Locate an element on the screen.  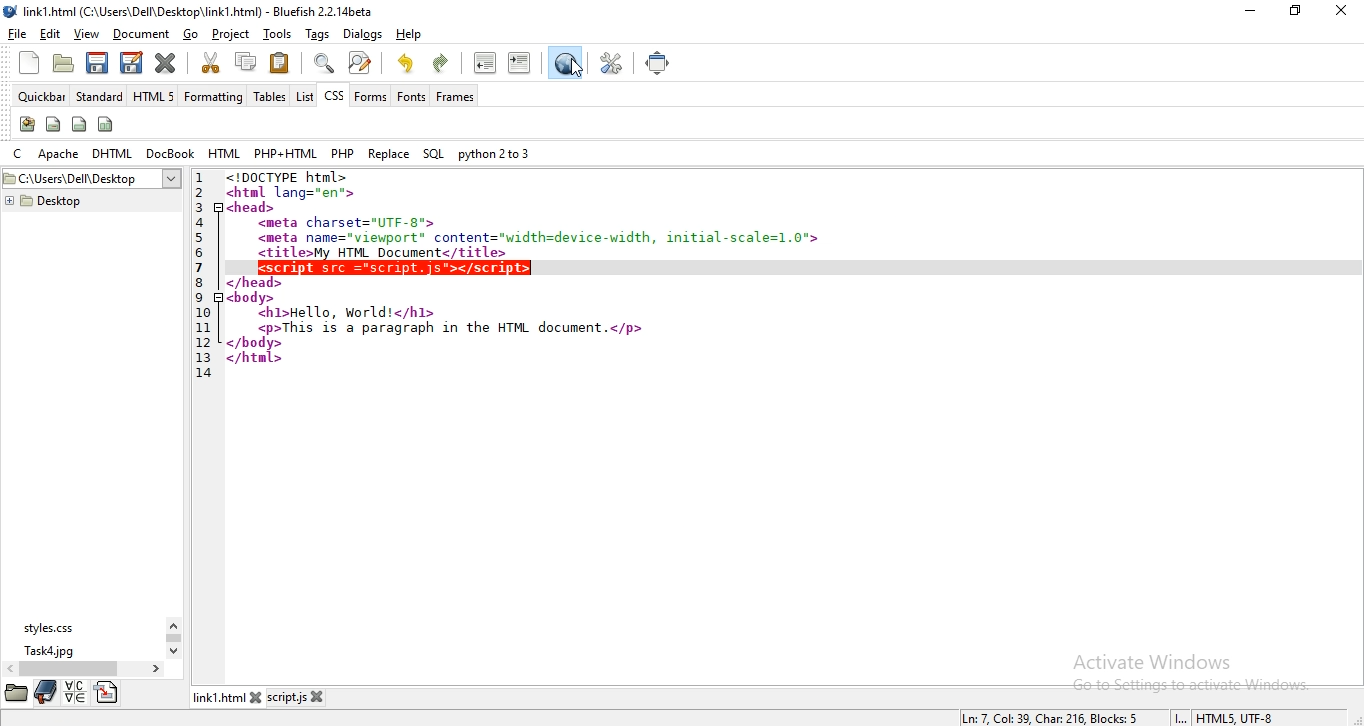
code is located at coordinates (471, 332).